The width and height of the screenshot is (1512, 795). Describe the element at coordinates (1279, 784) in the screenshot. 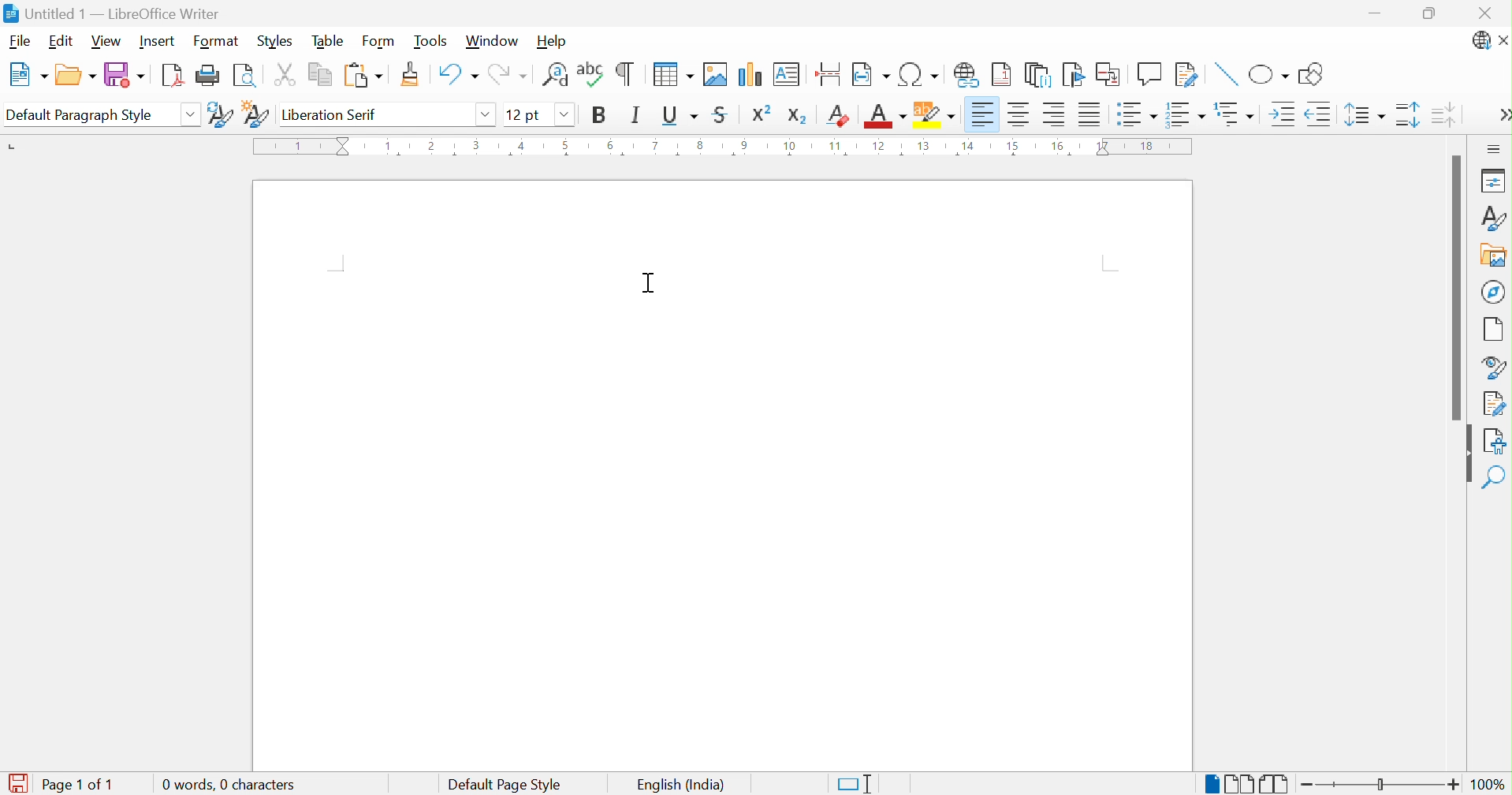

I see `Book view` at that location.